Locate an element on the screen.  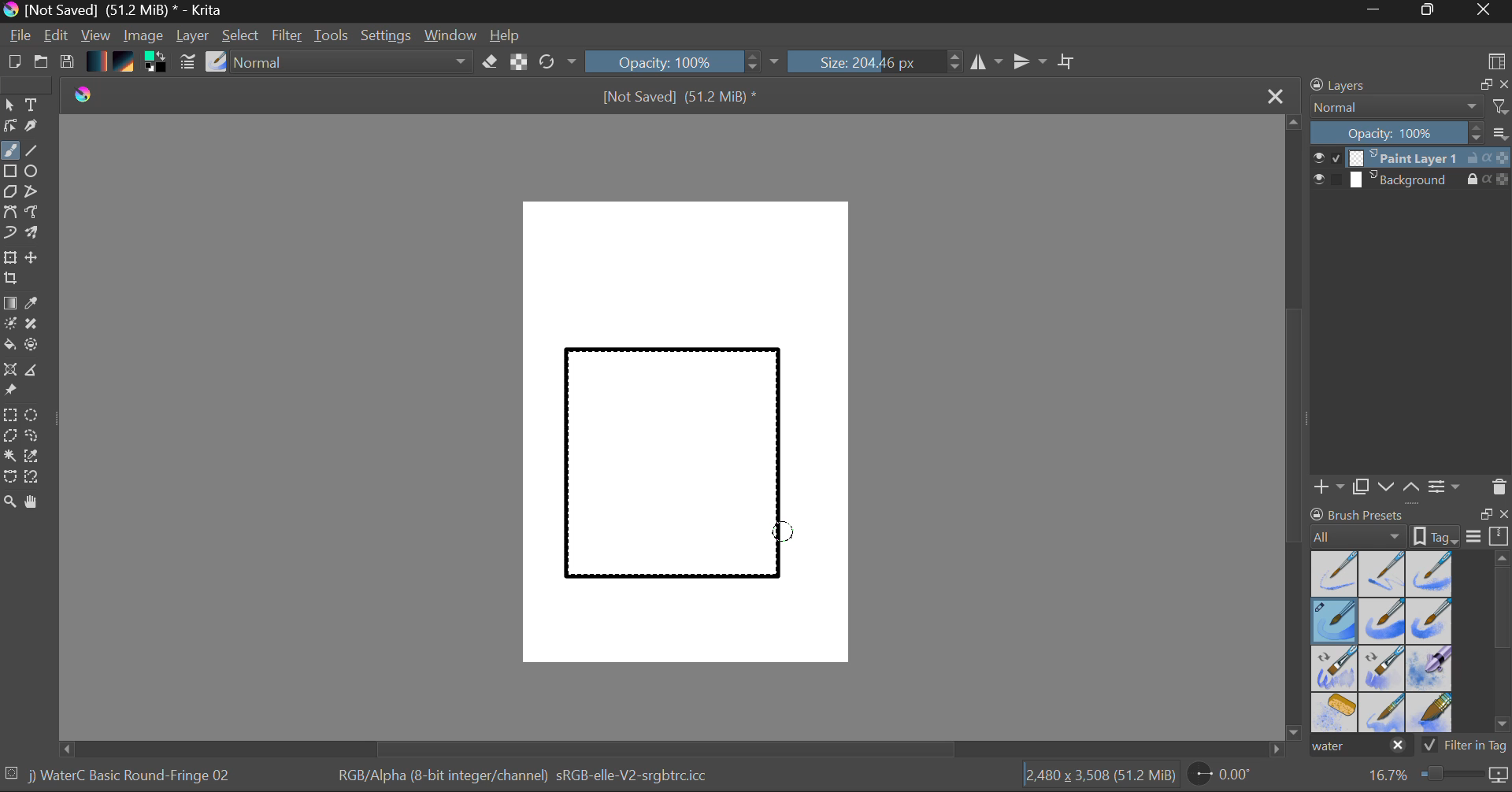
Rectangle Shape Selected is located at coordinates (674, 479).